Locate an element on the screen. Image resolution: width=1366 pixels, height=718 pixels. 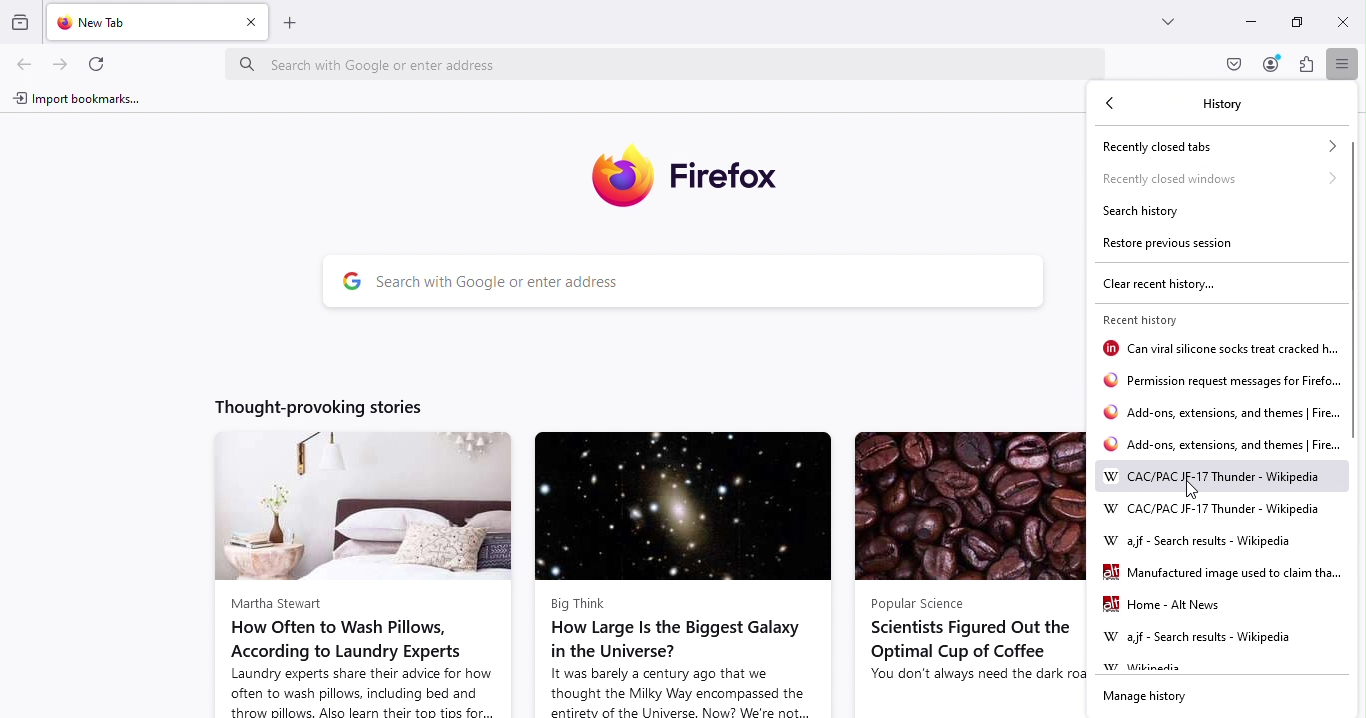
wikipidea is located at coordinates (1148, 668).